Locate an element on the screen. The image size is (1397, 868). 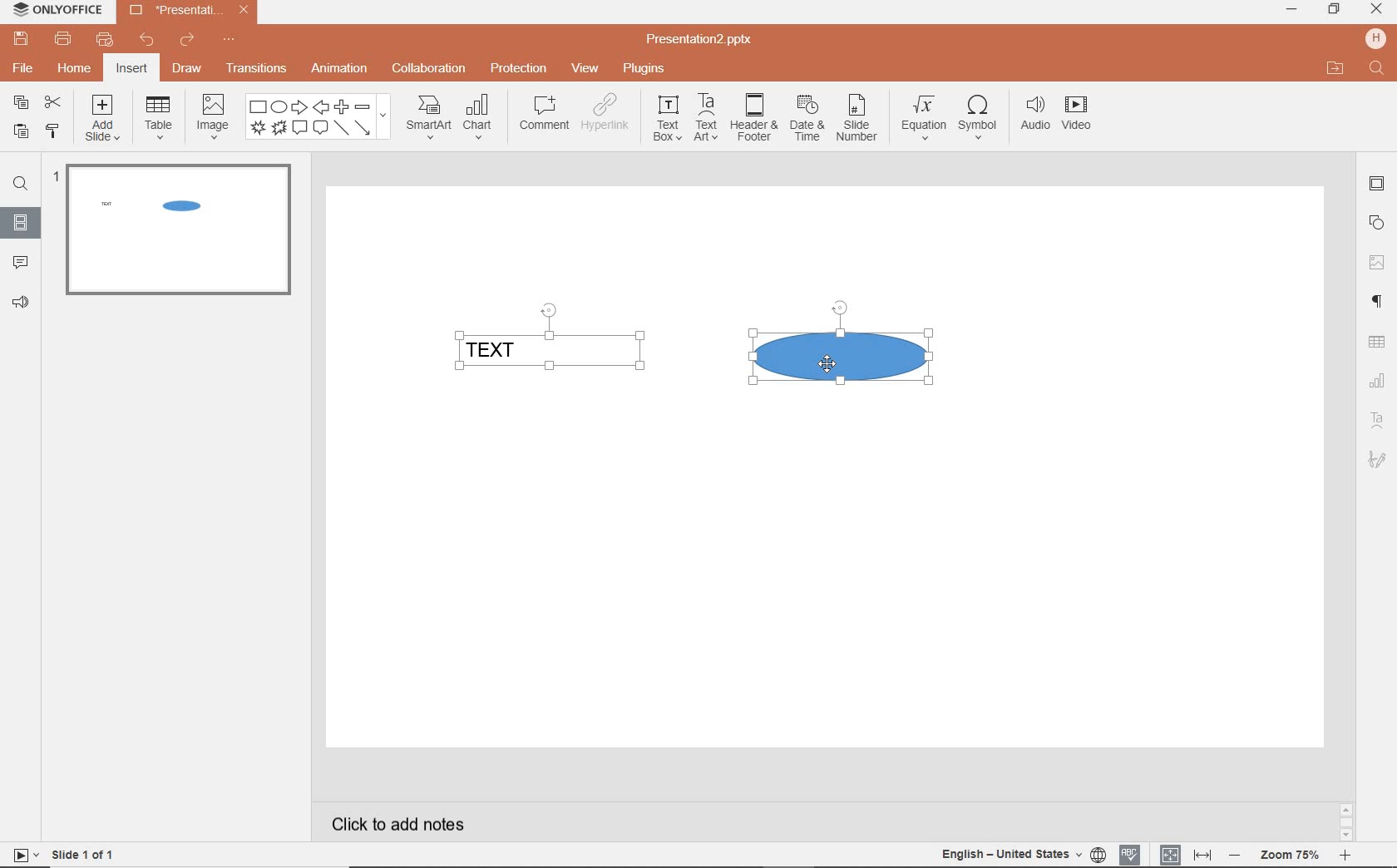
protection is located at coordinates (518, 68).